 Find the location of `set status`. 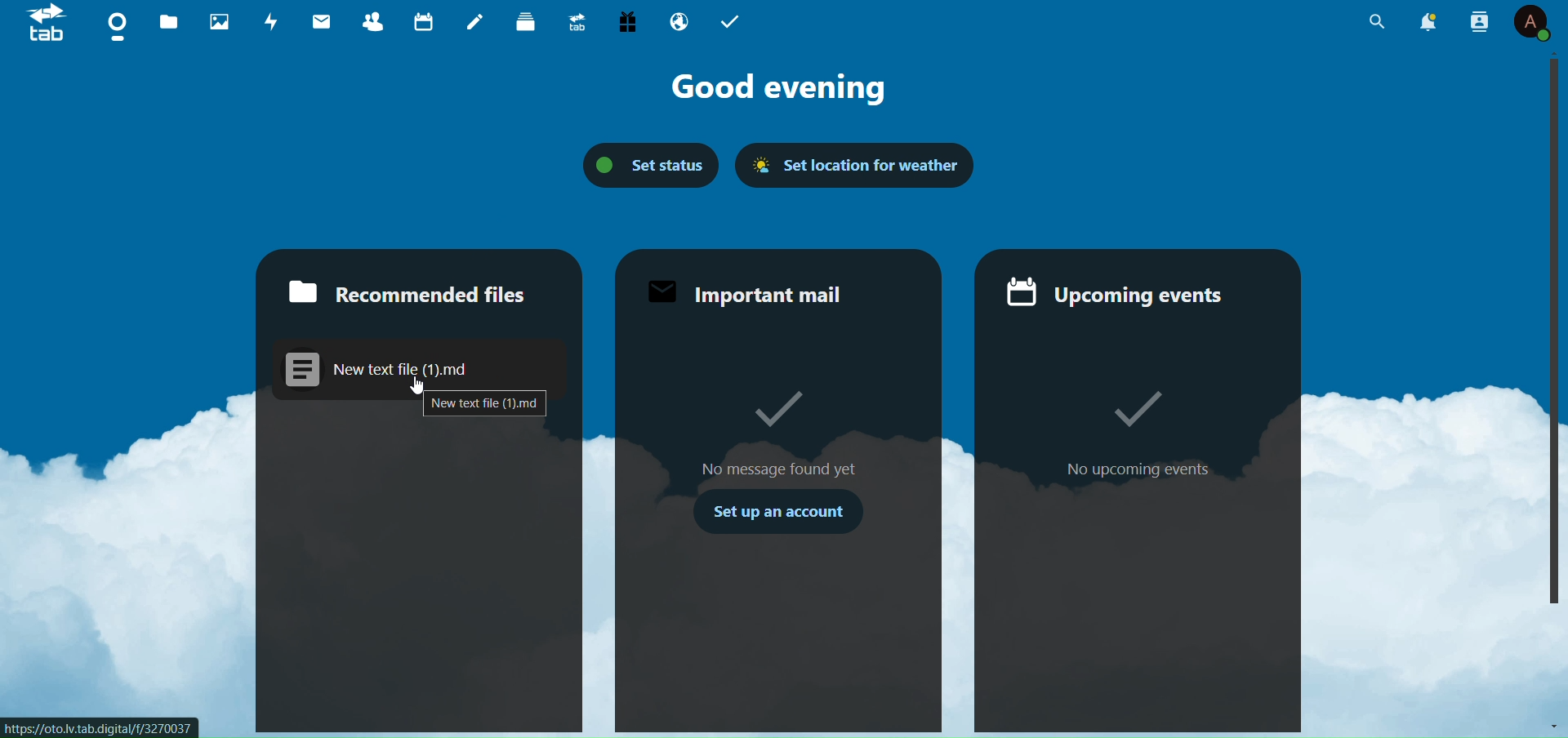

set status is located at coordinates (644, 163).